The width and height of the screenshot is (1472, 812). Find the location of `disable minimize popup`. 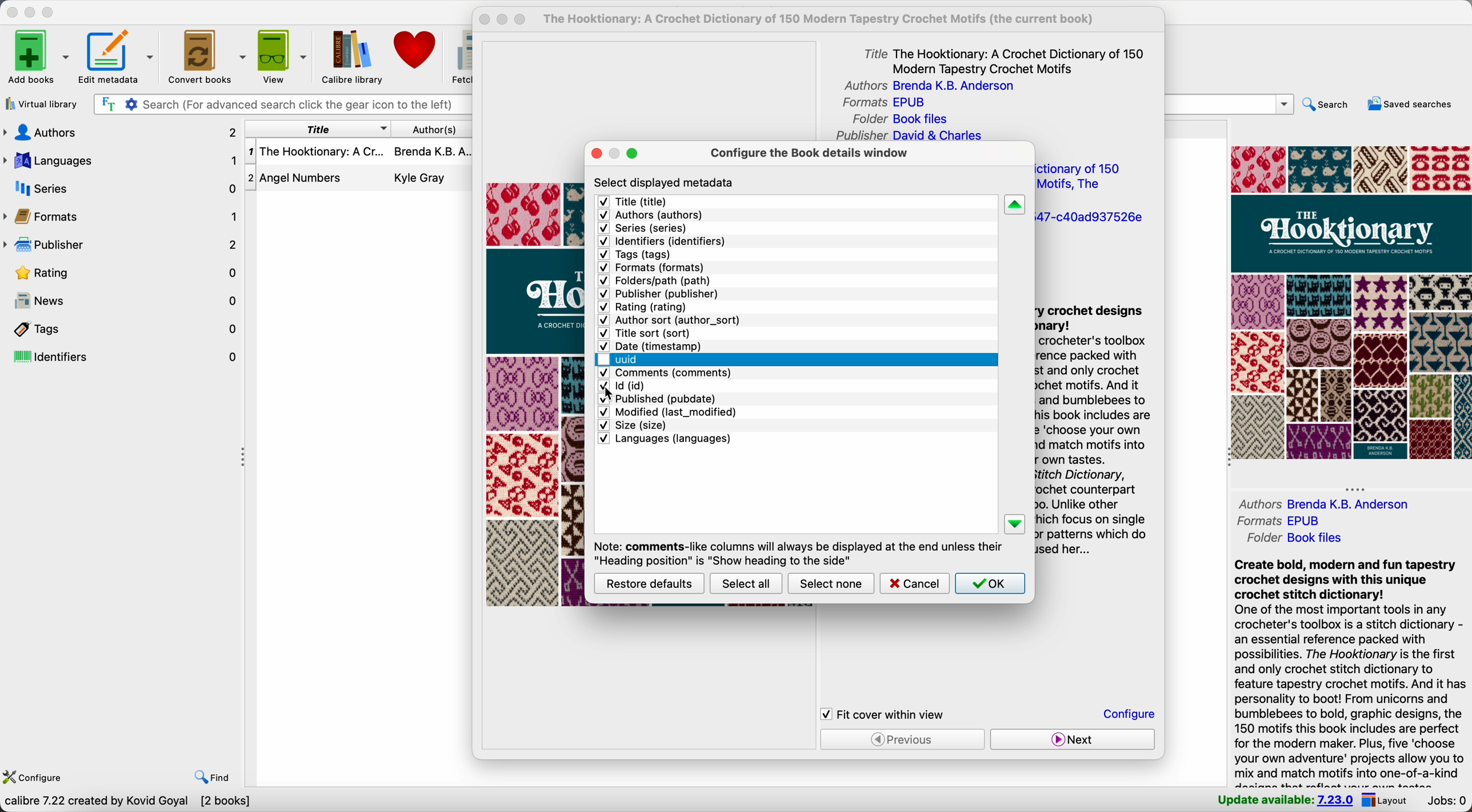

disable minimize popup is located at coordinates (505, 20).